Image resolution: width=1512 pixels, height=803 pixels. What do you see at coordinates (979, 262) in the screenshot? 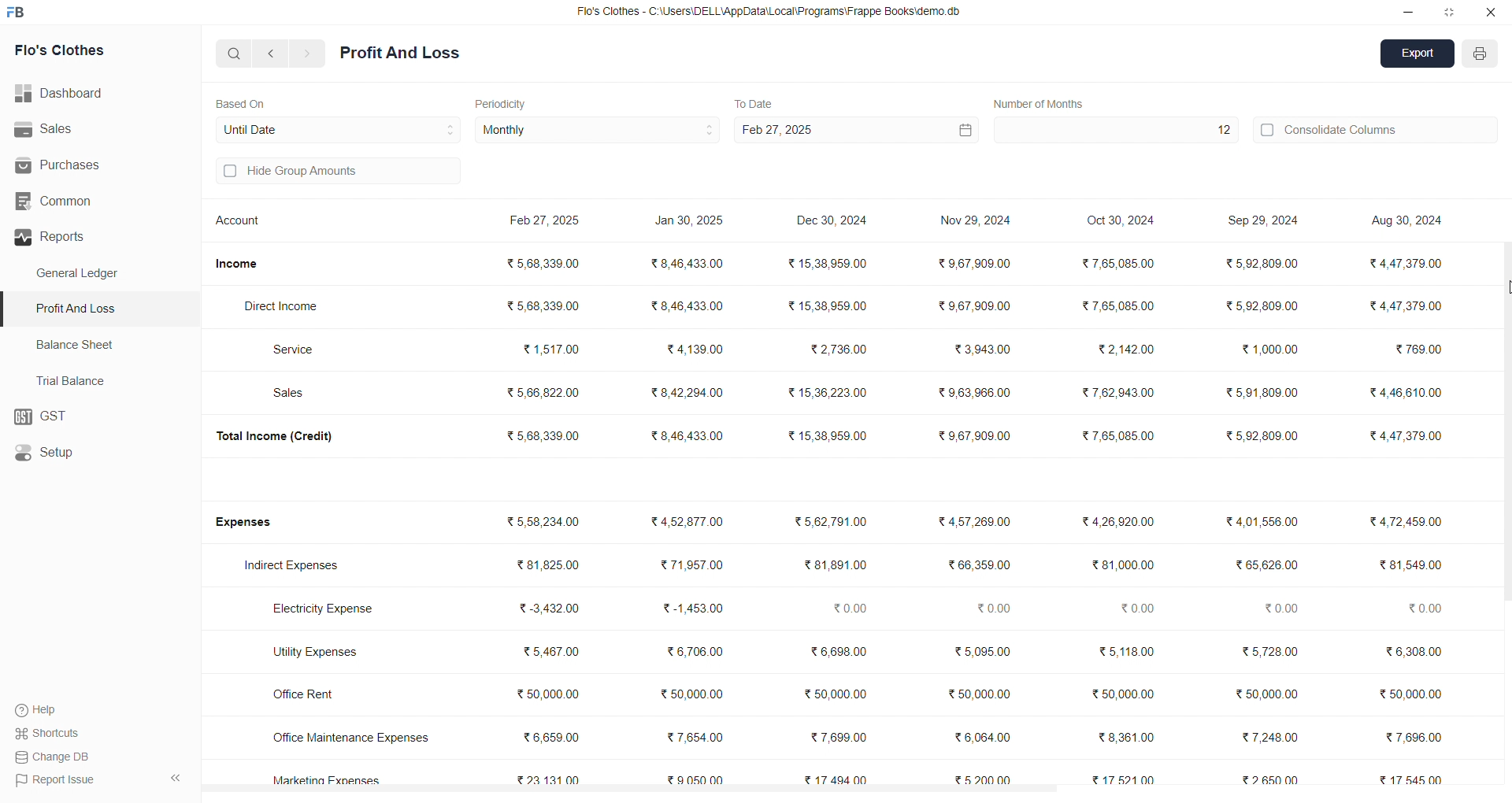
I see `₹9,67,909.00` at bounding box center [979, 262].